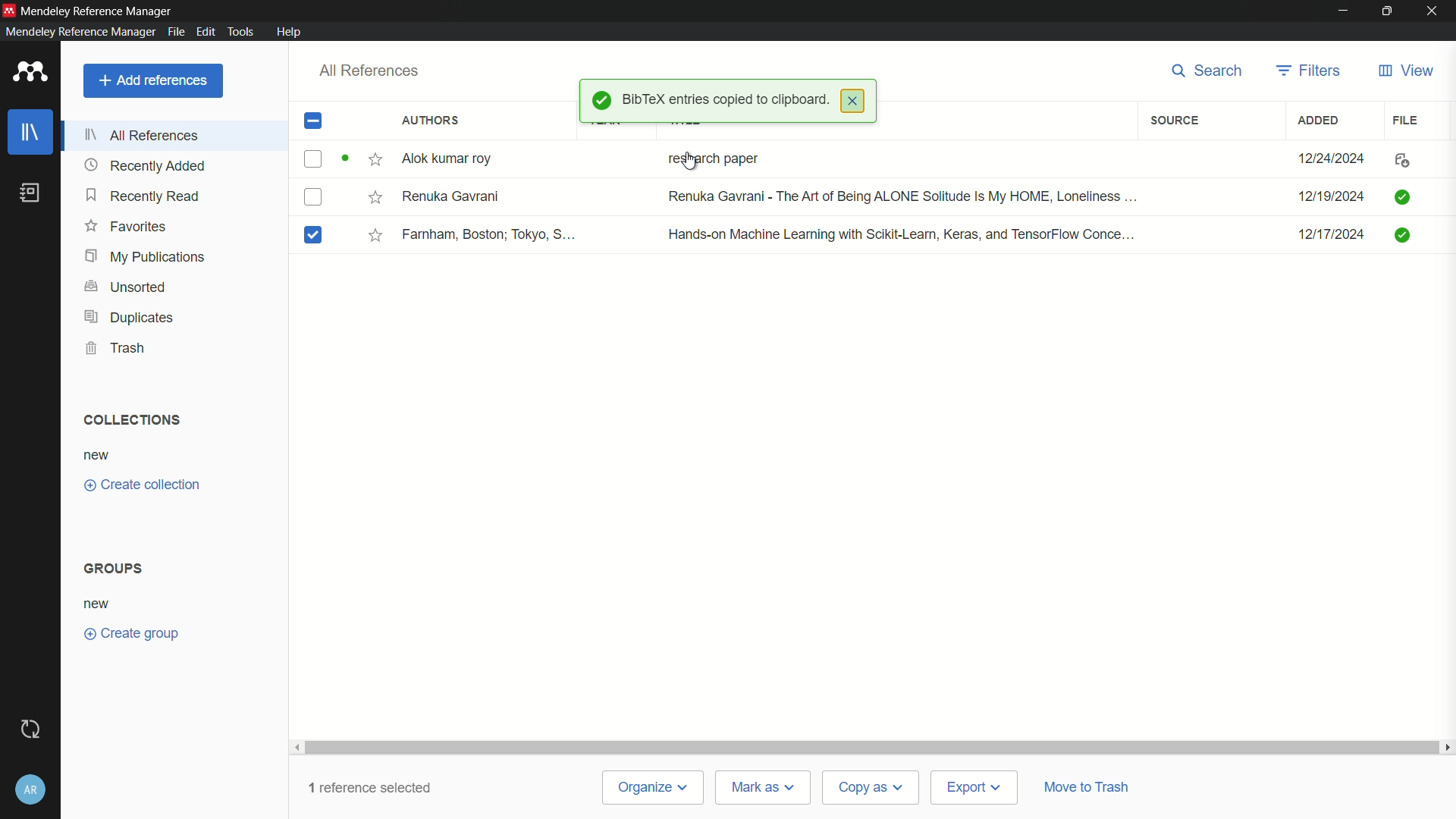  Describe the element at coordinates (1407, 120) in the screenshot. I see `file` at that location.